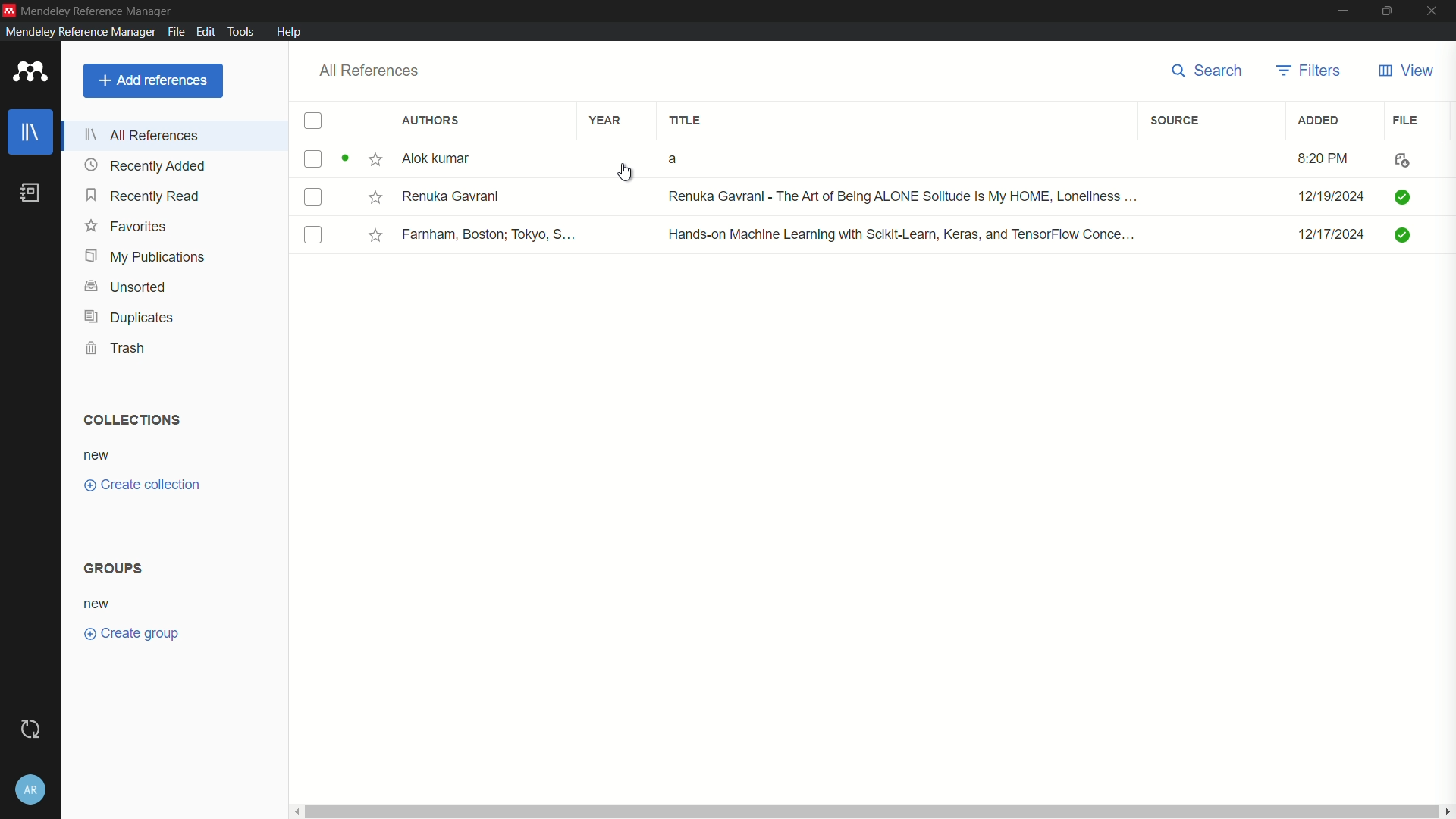 The width and height of the screenshot is (1456, 819). What do you see at coordinates (1311, 71) in the screenshot?
I see `filters` at bounding box center [1311, 71].